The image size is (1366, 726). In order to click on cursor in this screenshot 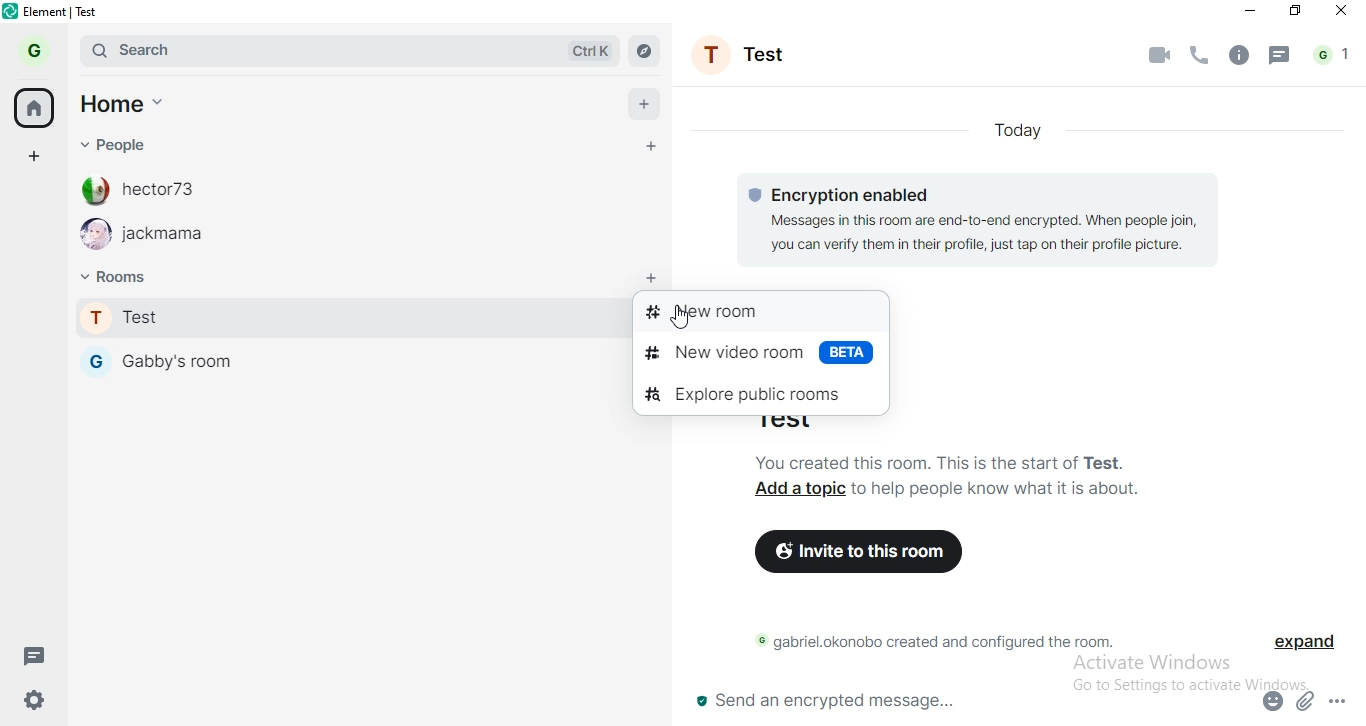, I will do `click(679, 317)`.